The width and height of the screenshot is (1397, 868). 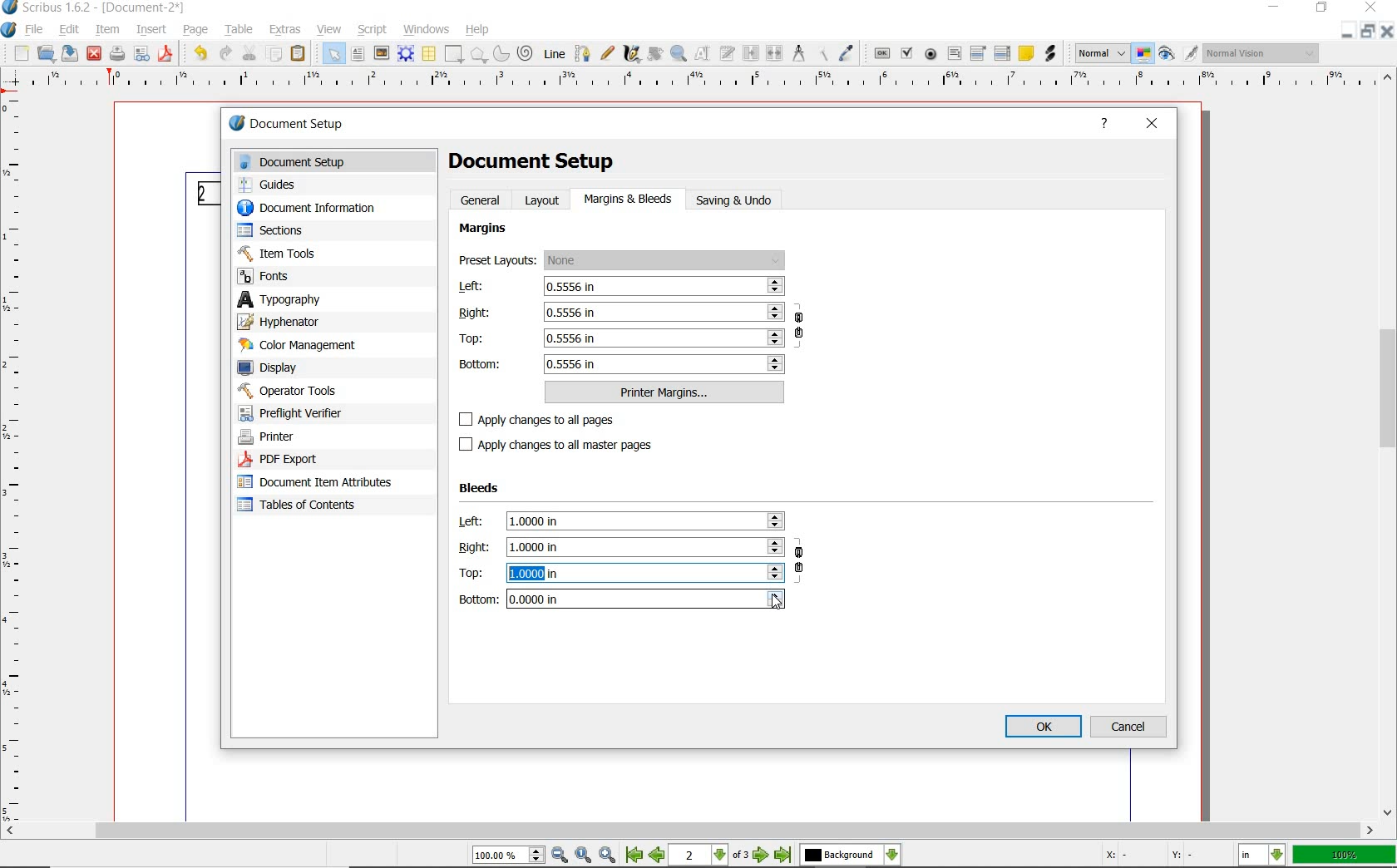 I want to click on close, so click(x=1370, y=8).